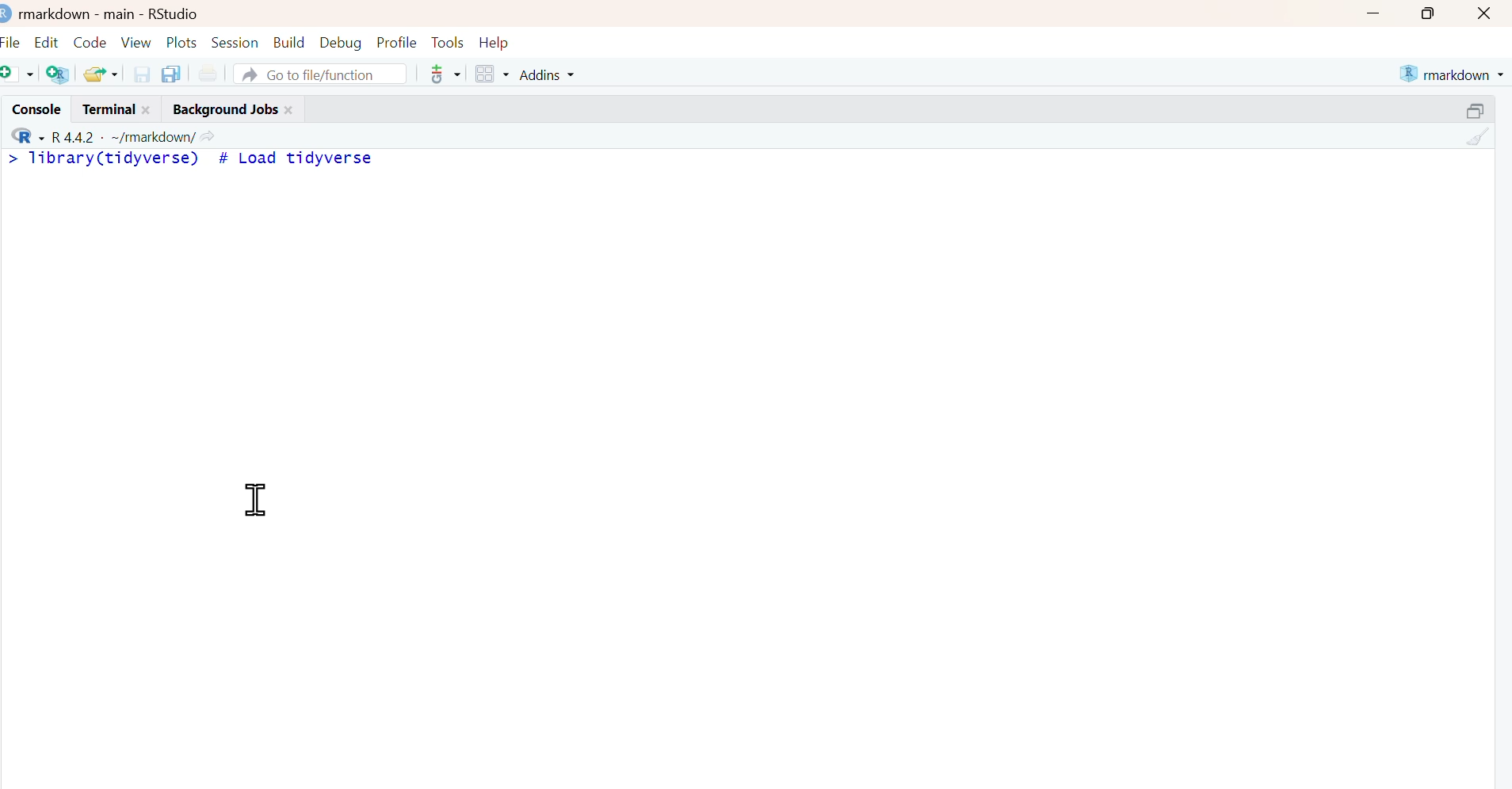 This screenshot has width=1512, height=789. I want to click on Git, so click(444, 75).